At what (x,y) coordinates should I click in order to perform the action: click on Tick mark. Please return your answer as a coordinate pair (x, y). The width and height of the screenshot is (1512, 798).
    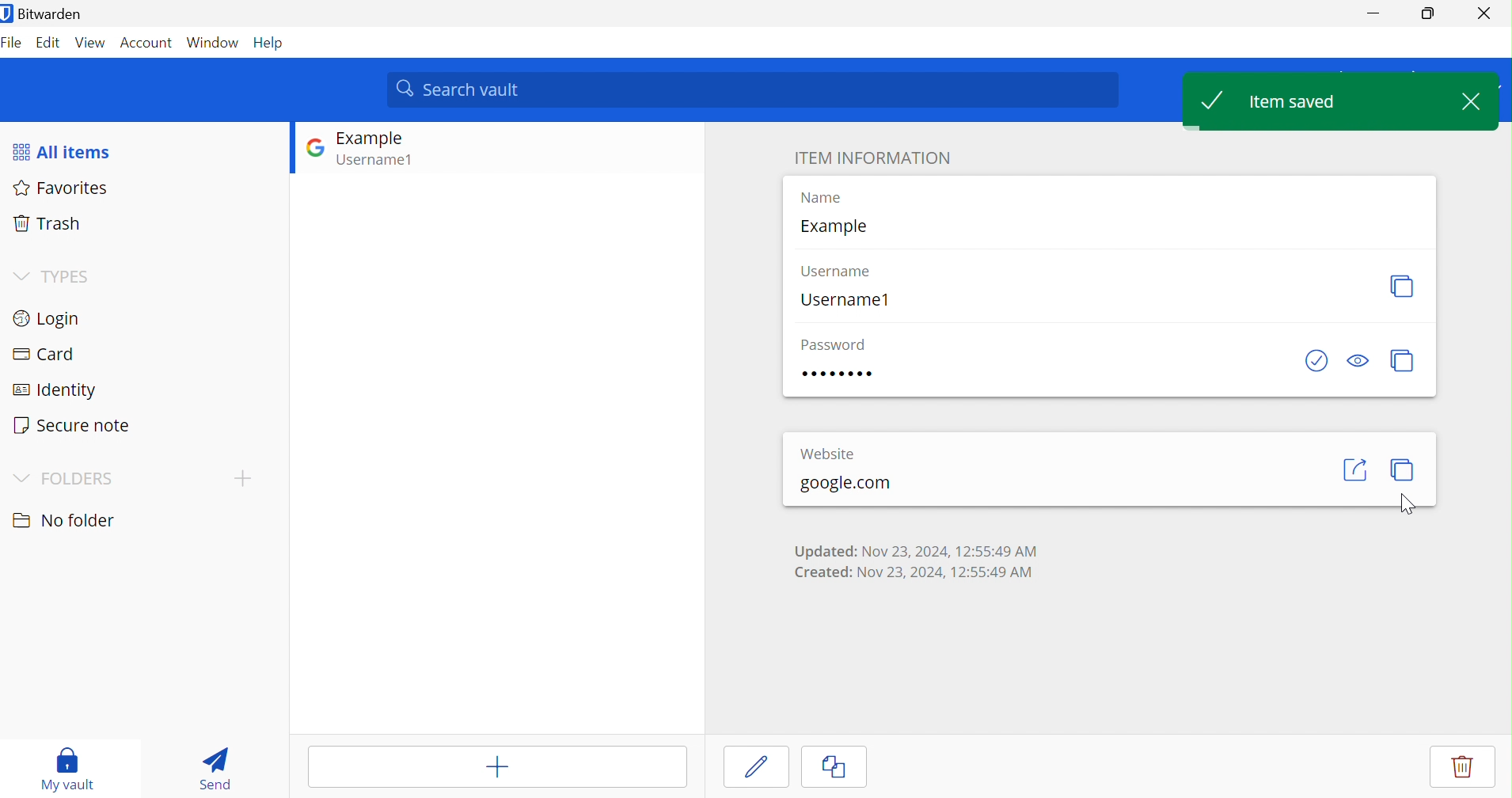
    Looking at the image, I should click on (1217, 101).